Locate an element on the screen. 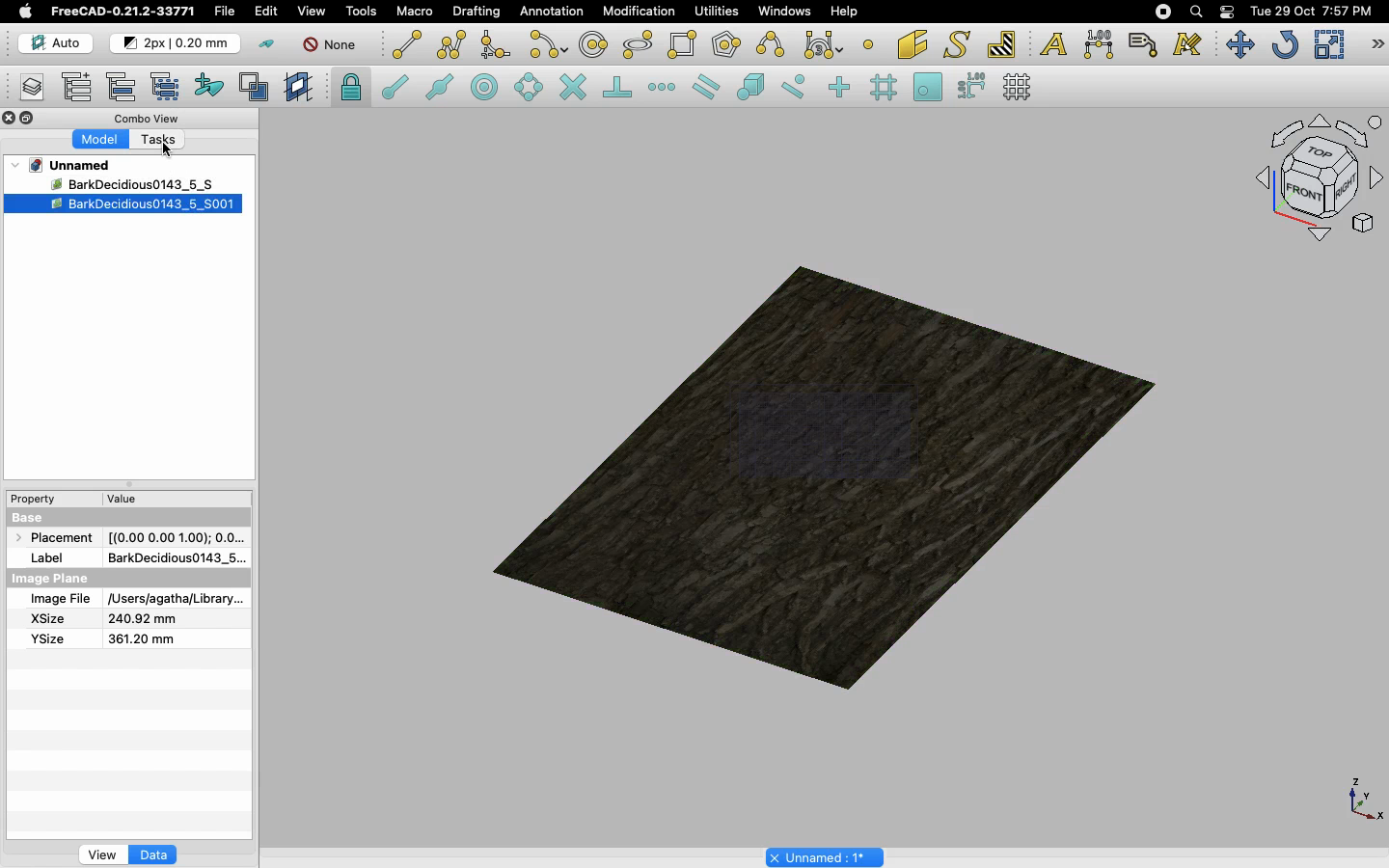 Image resolution: width=1389 pixels, height=868 pixels. Base is located at coordinates (31, 516).